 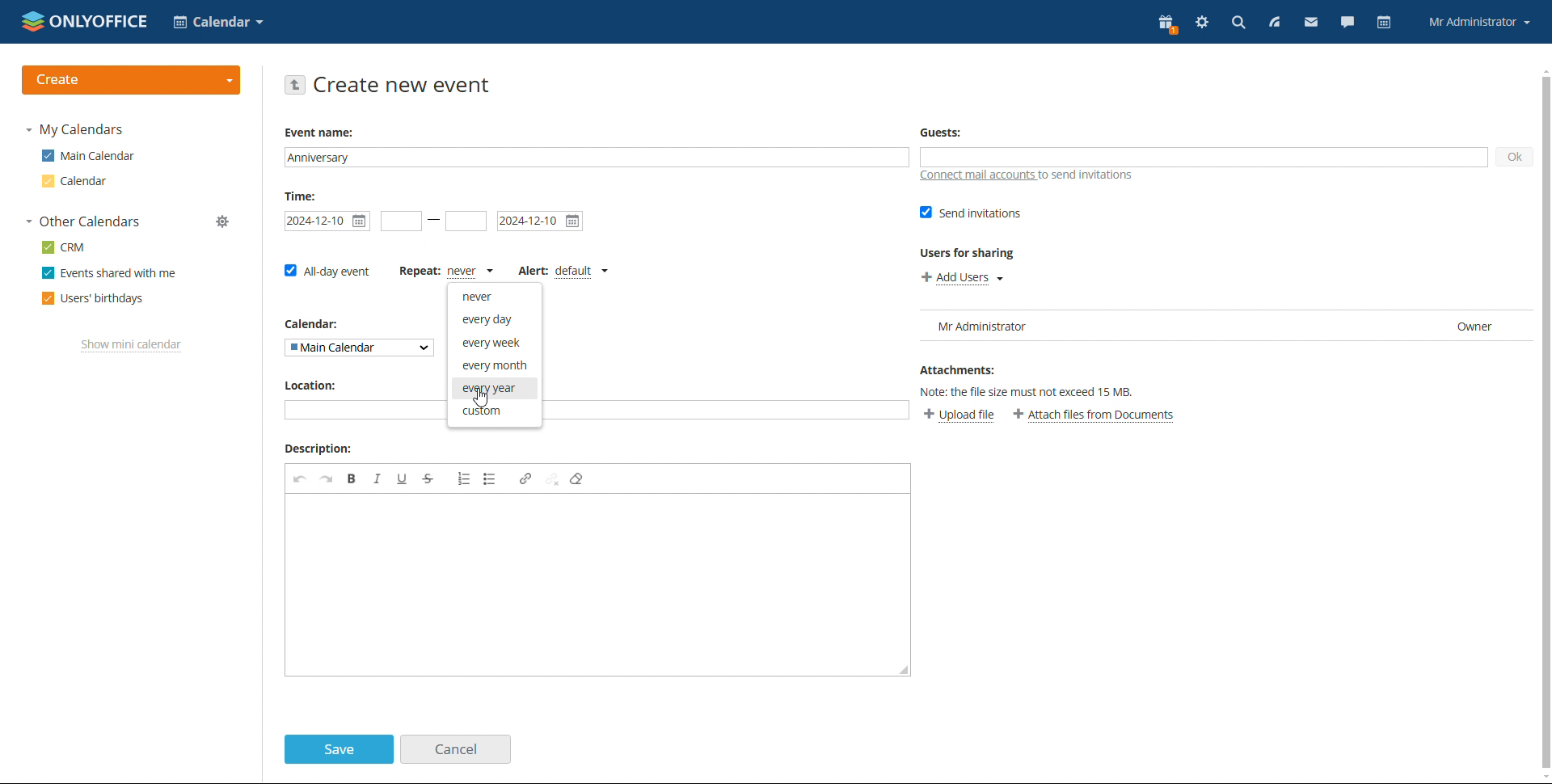 I want to click on remove format, so click(x=579, y=478).